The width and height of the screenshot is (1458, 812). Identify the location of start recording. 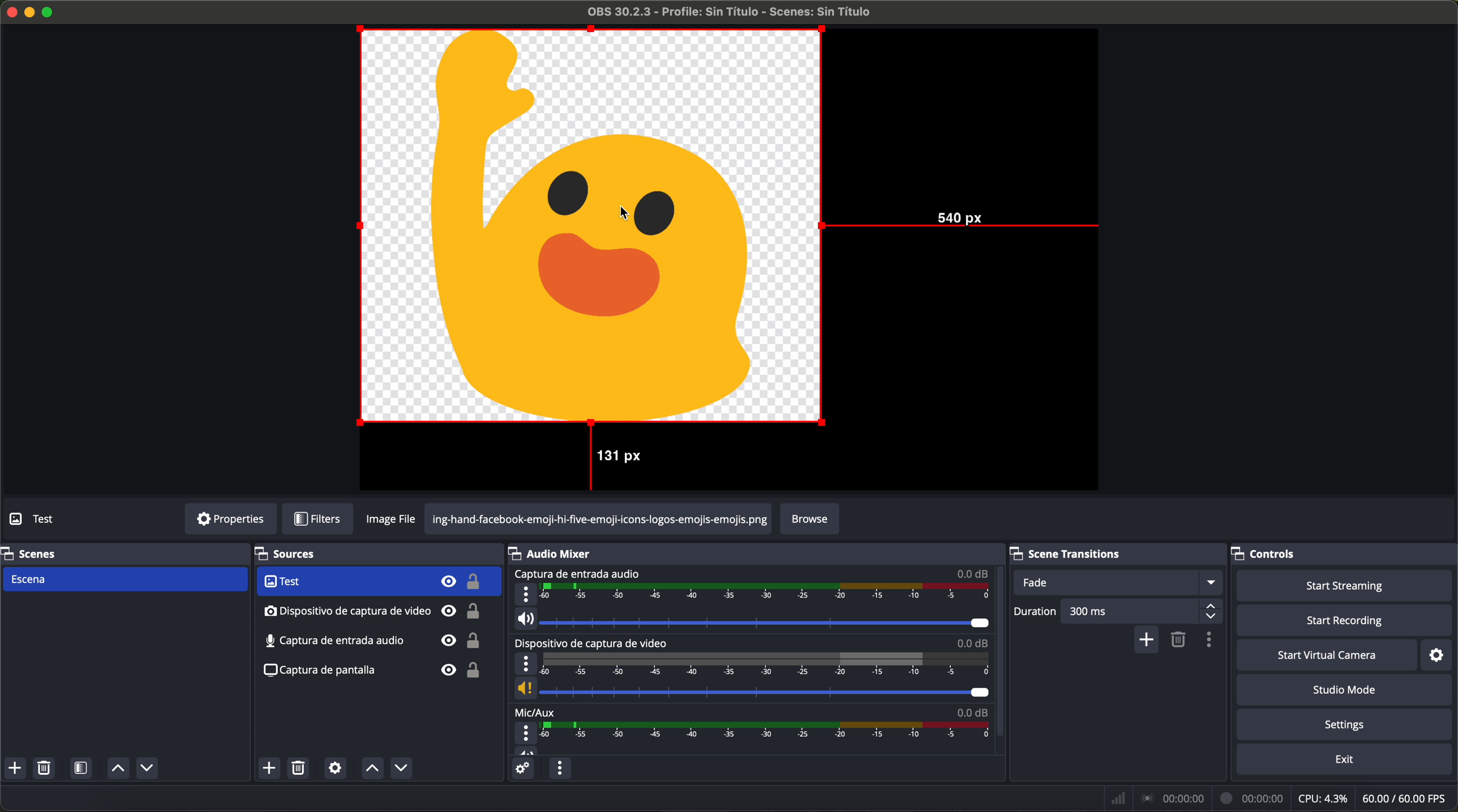
(1346, 621).